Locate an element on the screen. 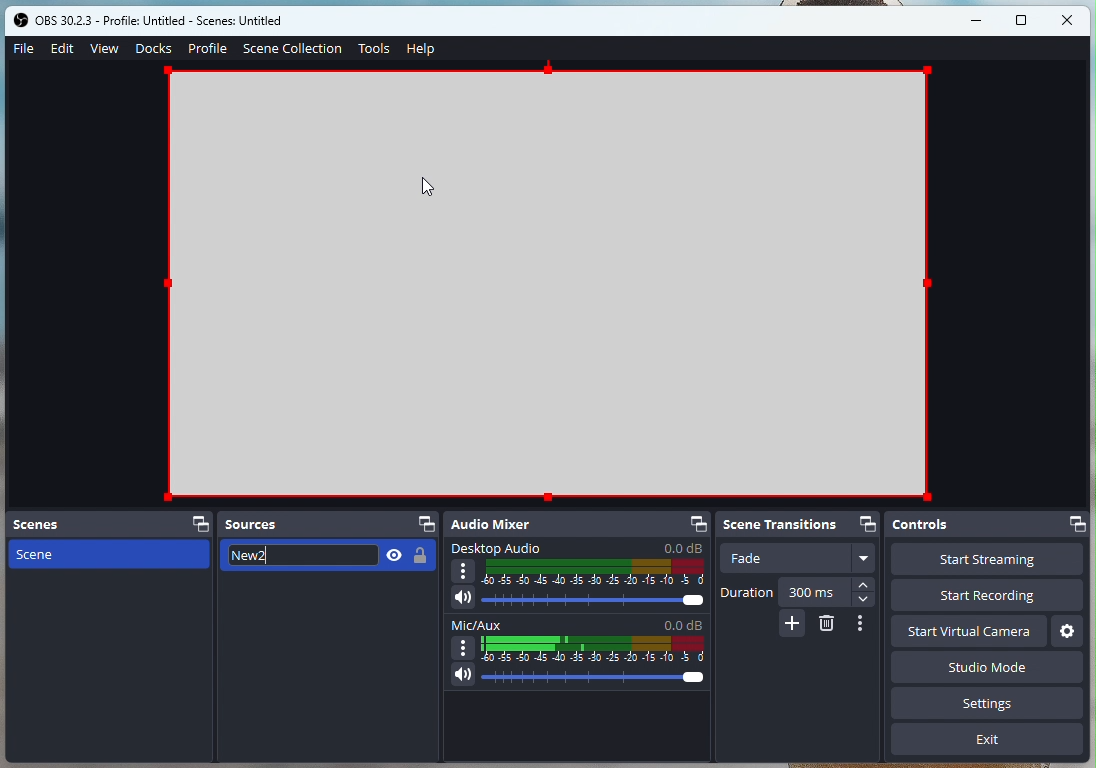  Exit is located at coordinates (987, 743).